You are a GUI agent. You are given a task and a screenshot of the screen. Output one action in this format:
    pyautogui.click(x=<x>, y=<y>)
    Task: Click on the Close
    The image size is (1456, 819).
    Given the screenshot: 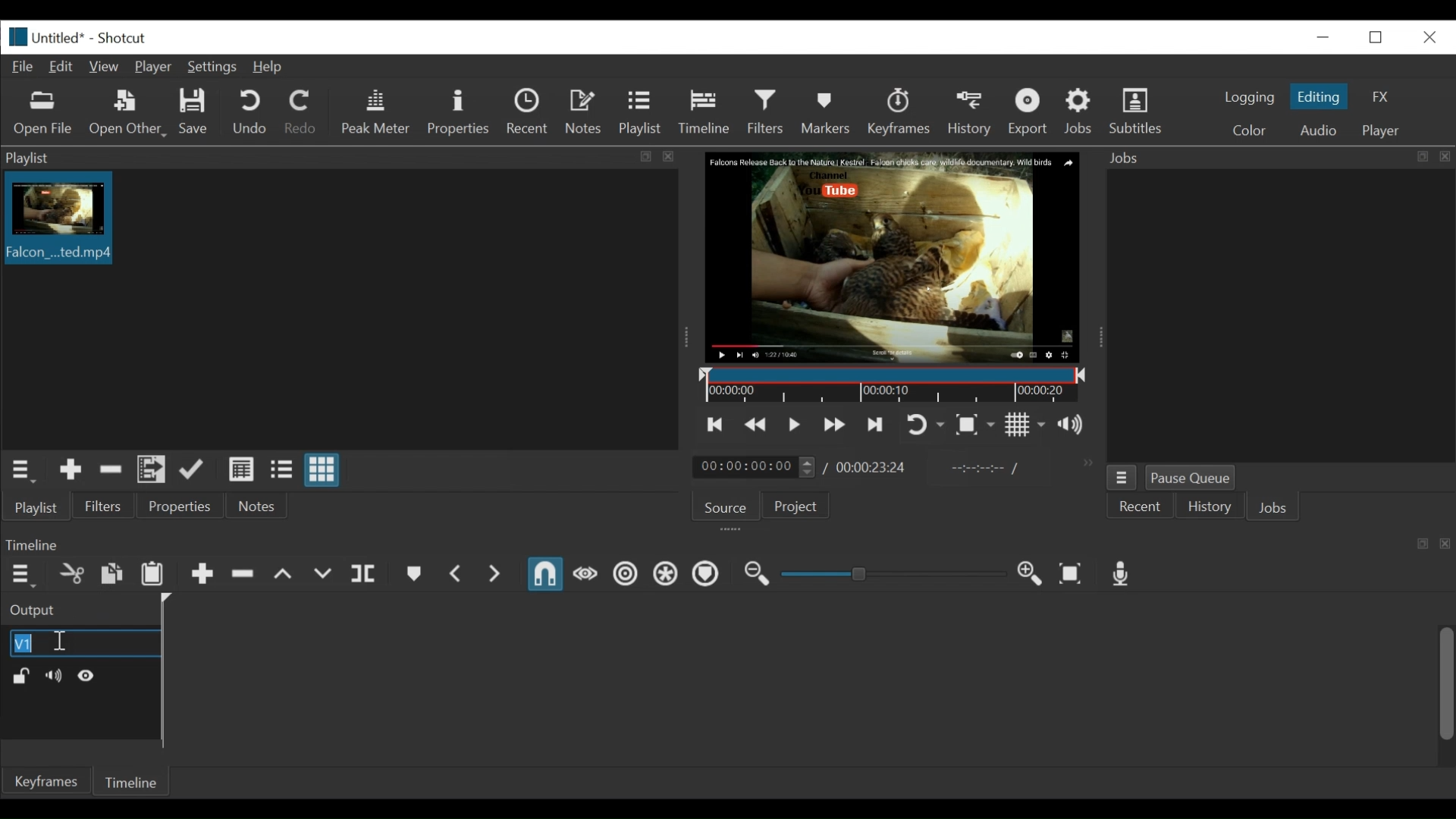 What is the action you would take?
    pyautogui.click(x=1428, y=37)
    